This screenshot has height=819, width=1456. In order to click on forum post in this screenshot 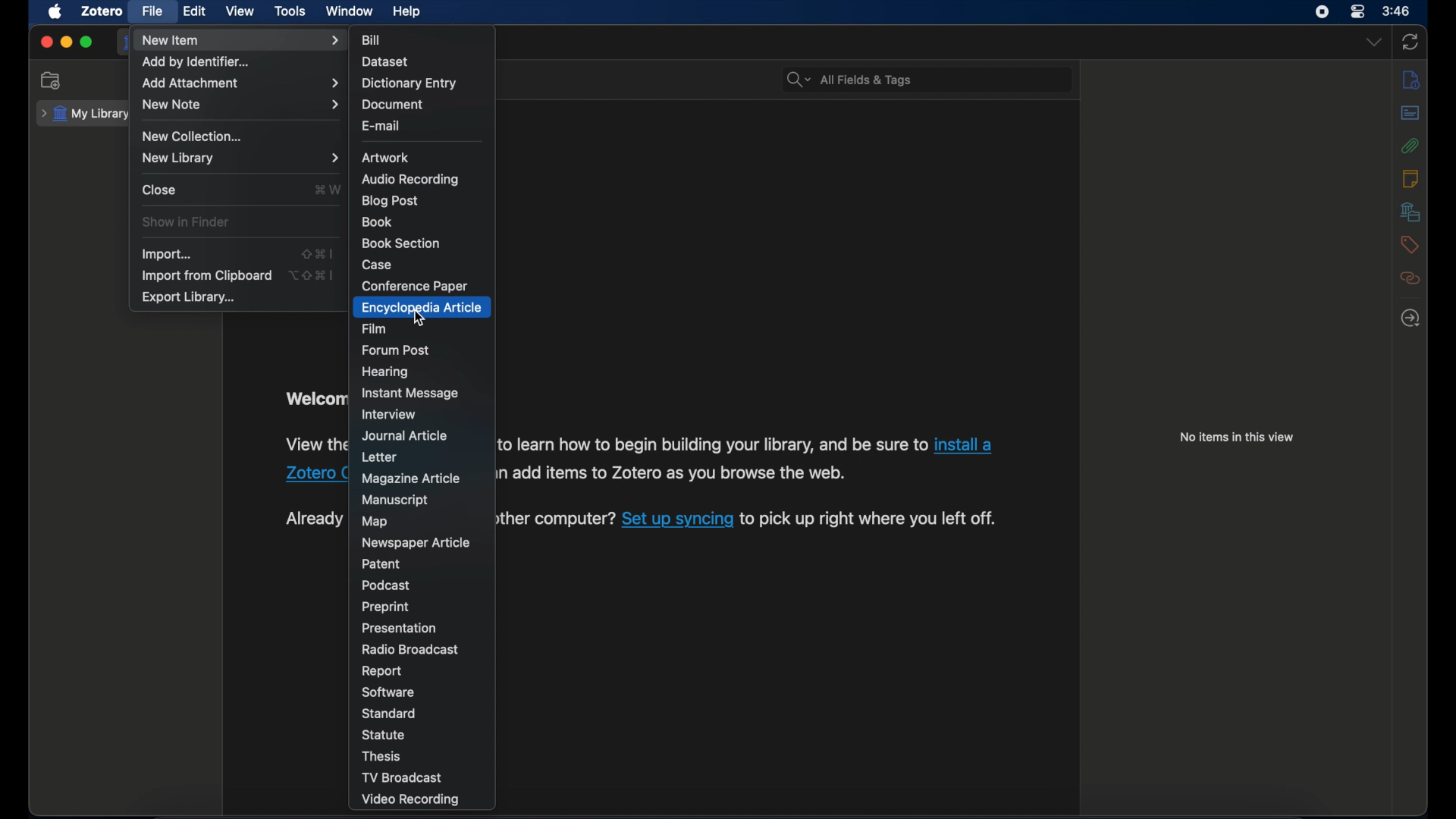, I will do `click(396, 350)`.